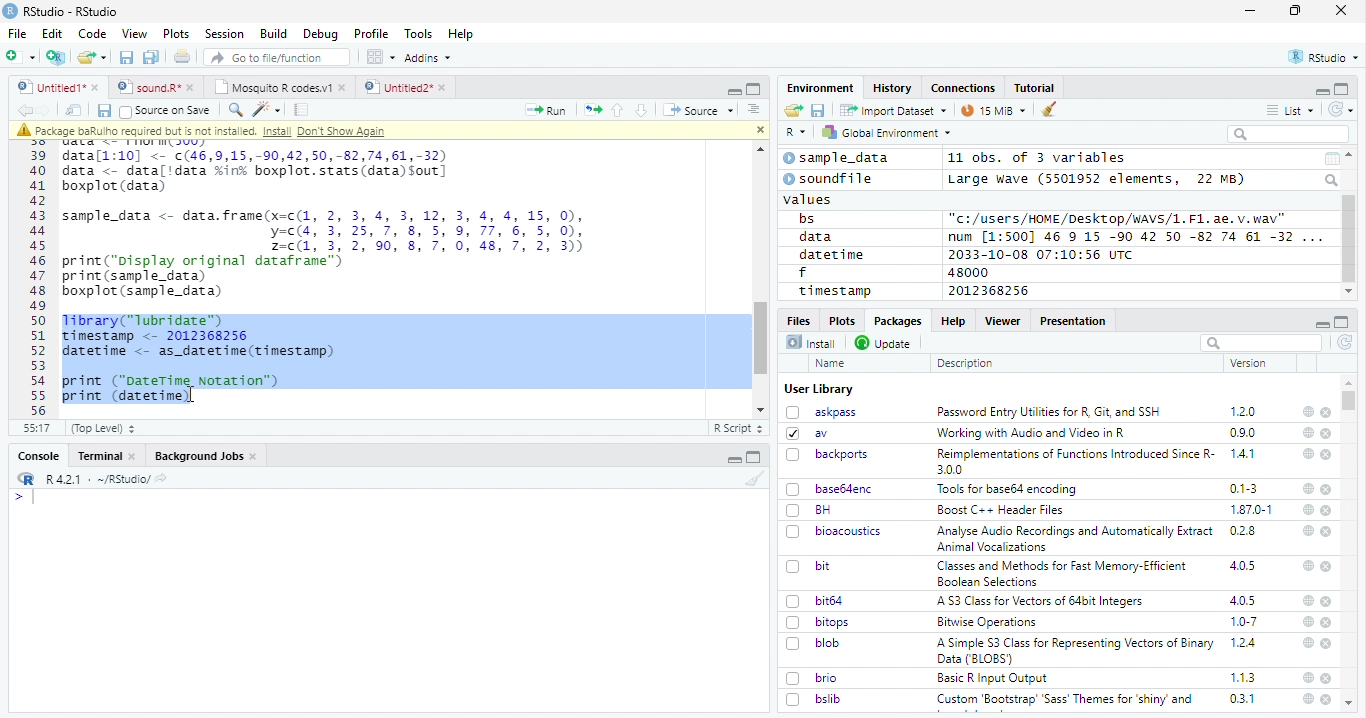  Describe the element at coordinates (417, 34) in the screenshot. I see `Tools` at that location.